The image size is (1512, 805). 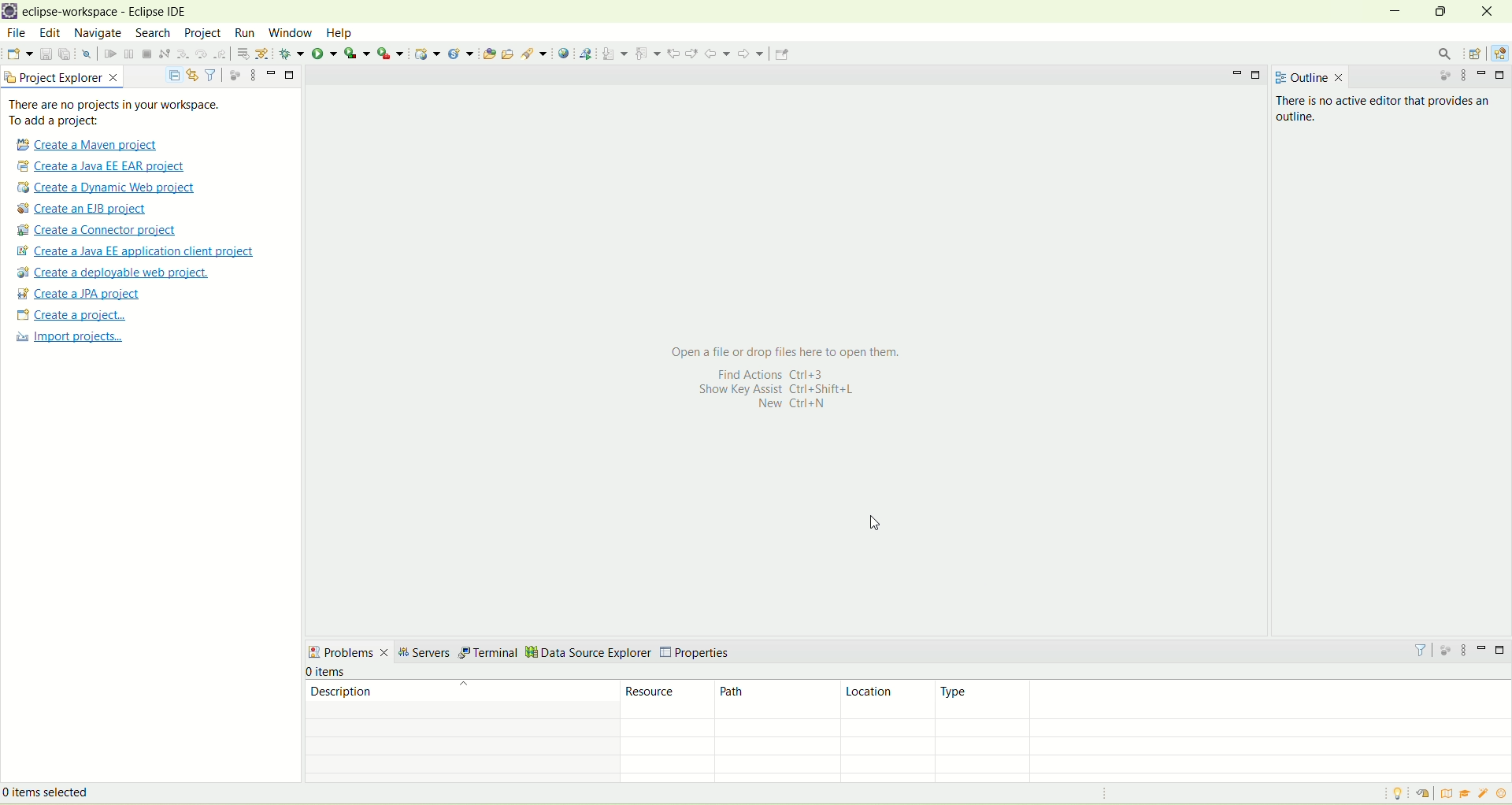 I want to click on outline, so click(x=1306, y=75).